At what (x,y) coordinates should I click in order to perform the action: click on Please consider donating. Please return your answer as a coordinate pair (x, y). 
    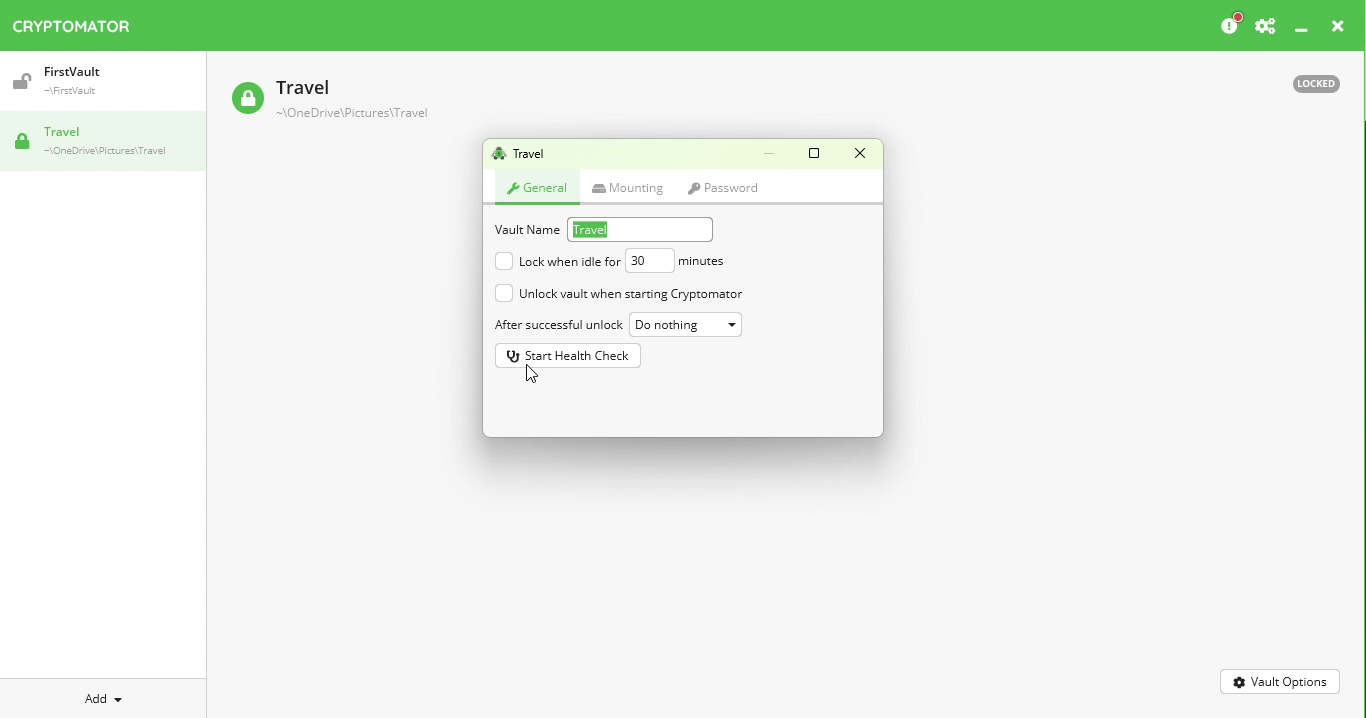
    Looking at the image, I should click on (1219, 26).